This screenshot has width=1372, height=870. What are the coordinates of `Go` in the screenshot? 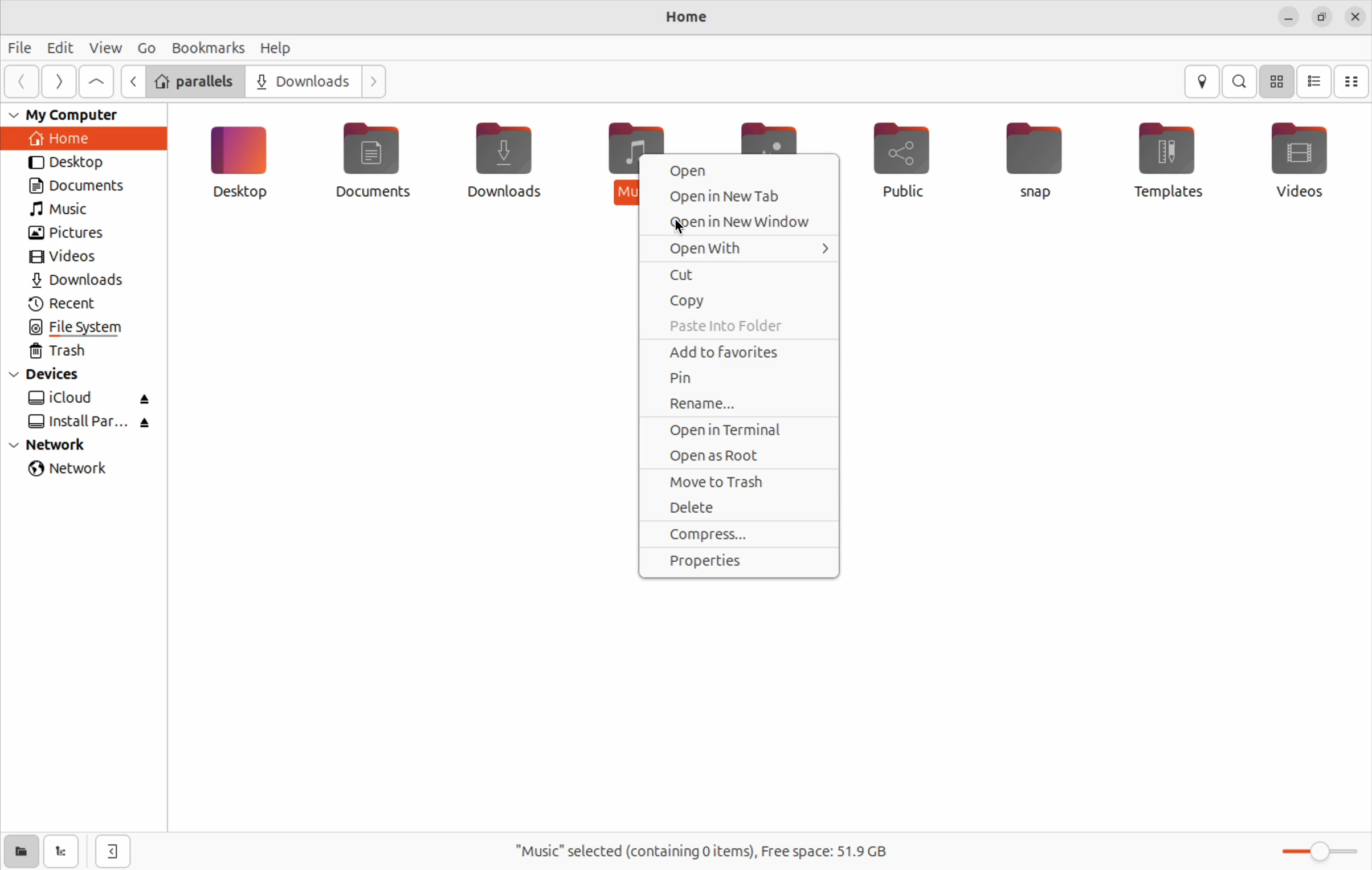 It's located at (145, 48).